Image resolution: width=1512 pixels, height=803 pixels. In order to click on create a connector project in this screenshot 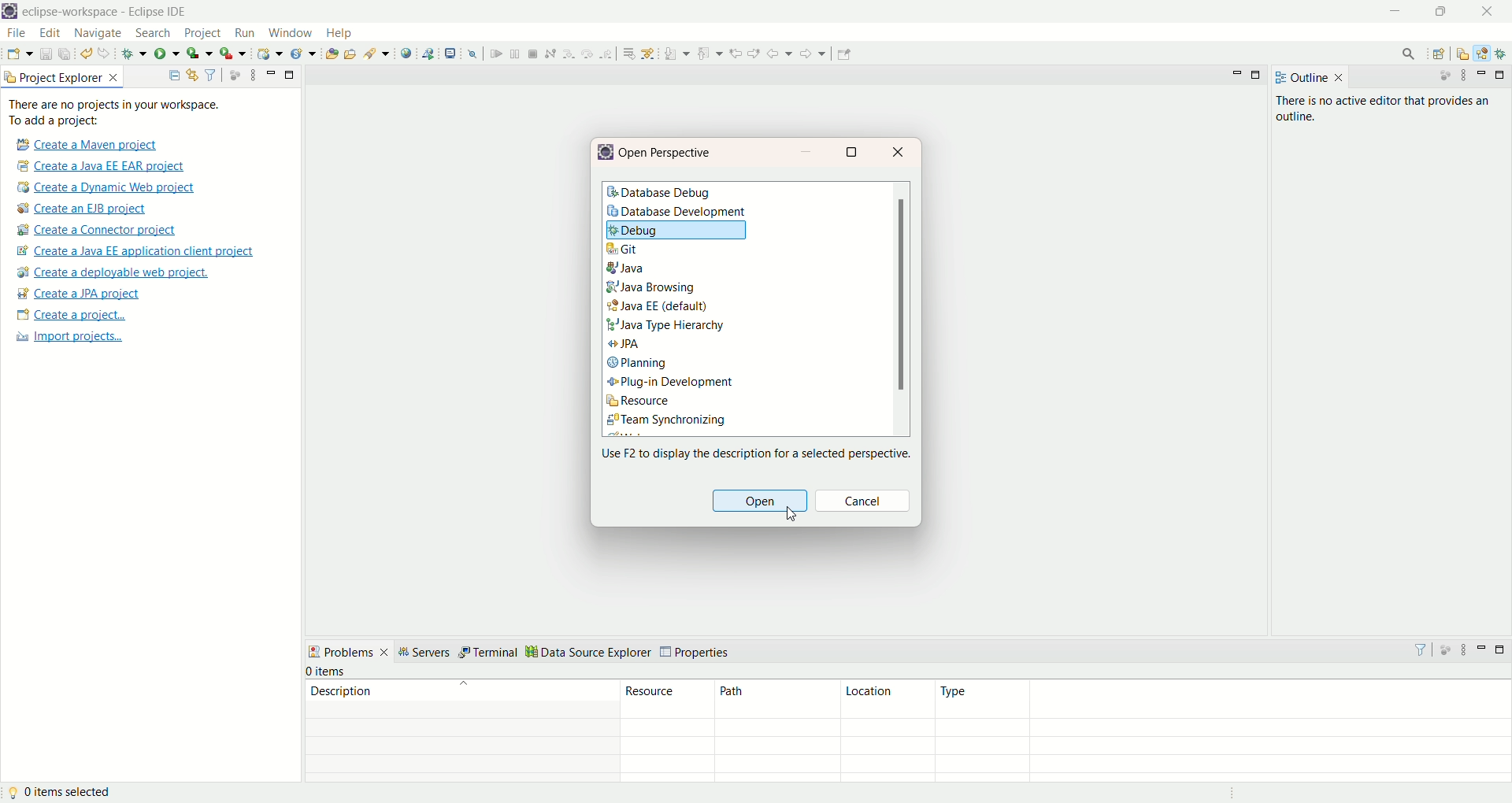, I will do `click(97, 232)`.